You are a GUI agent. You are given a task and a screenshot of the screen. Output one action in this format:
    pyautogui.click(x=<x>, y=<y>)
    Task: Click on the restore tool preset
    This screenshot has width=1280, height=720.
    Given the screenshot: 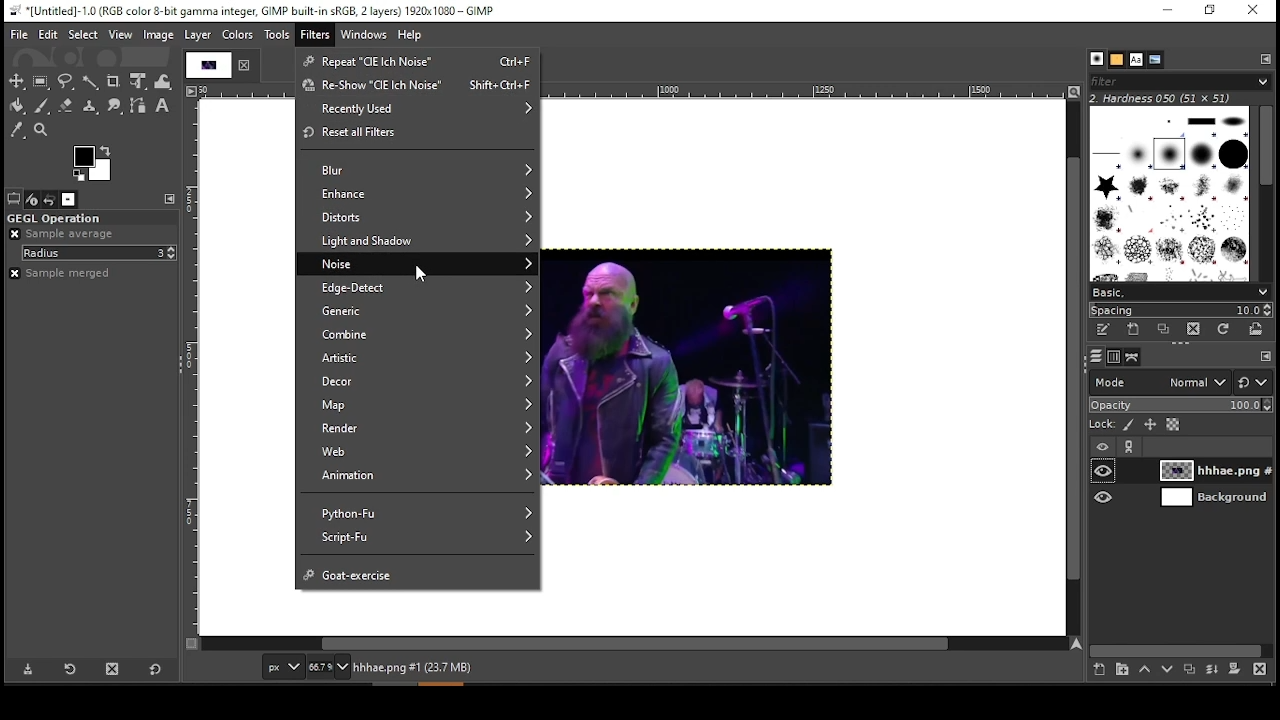 What is the action you would take?
    pyautogui.click(x=68, y=668)
    